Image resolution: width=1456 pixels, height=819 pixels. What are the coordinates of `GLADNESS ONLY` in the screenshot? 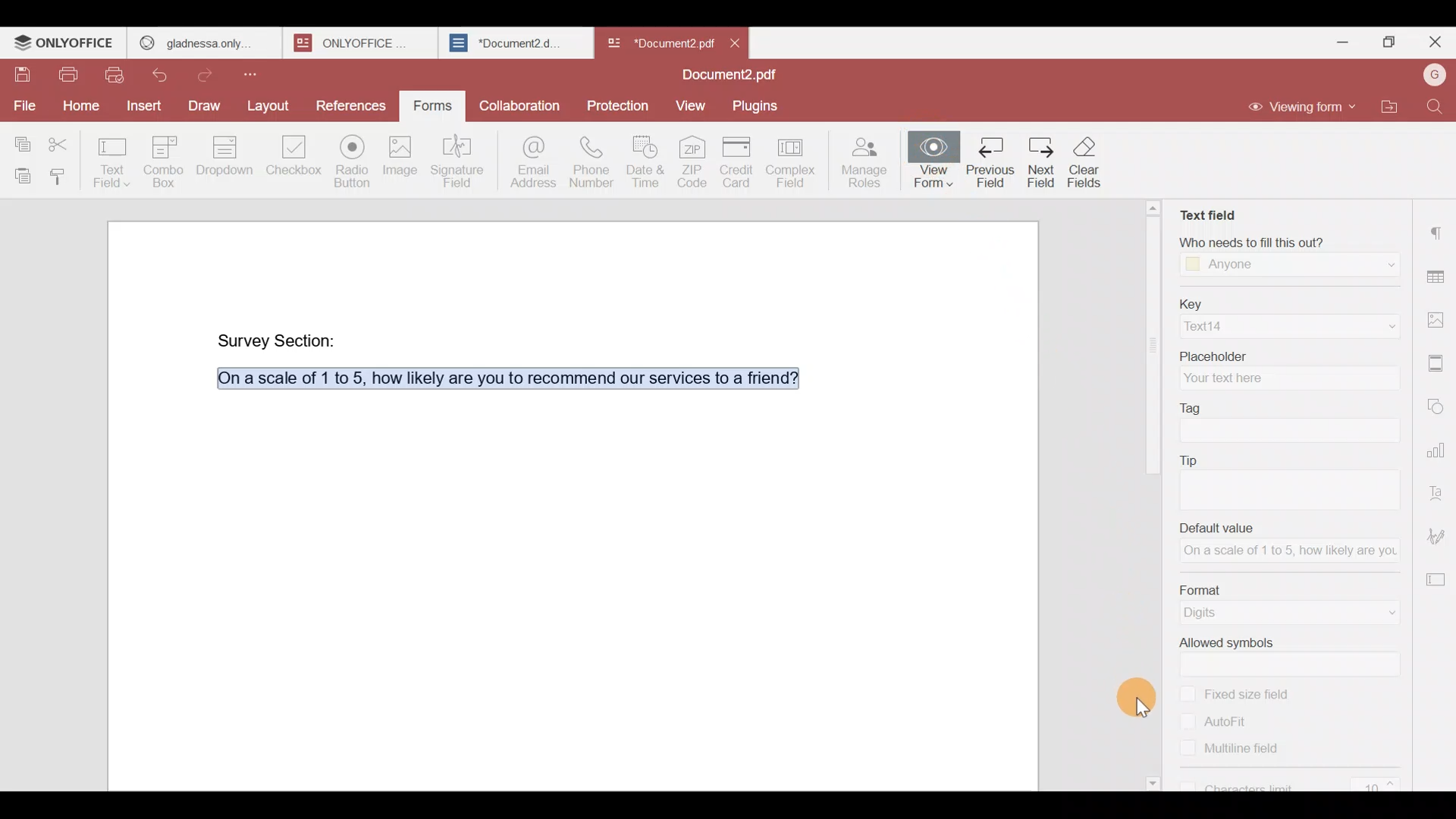 It's located at (199, 39).